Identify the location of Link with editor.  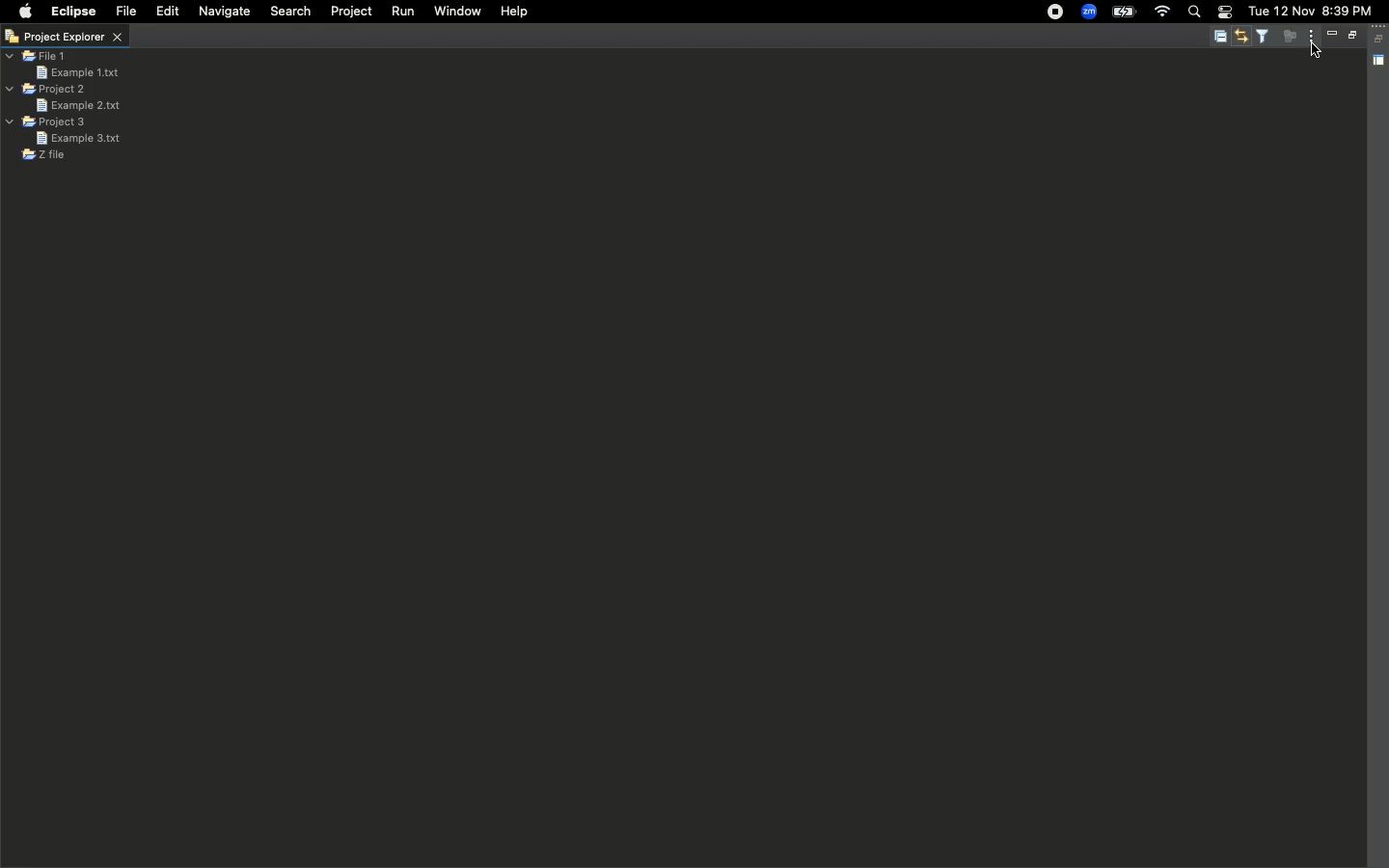
(1243, 37).